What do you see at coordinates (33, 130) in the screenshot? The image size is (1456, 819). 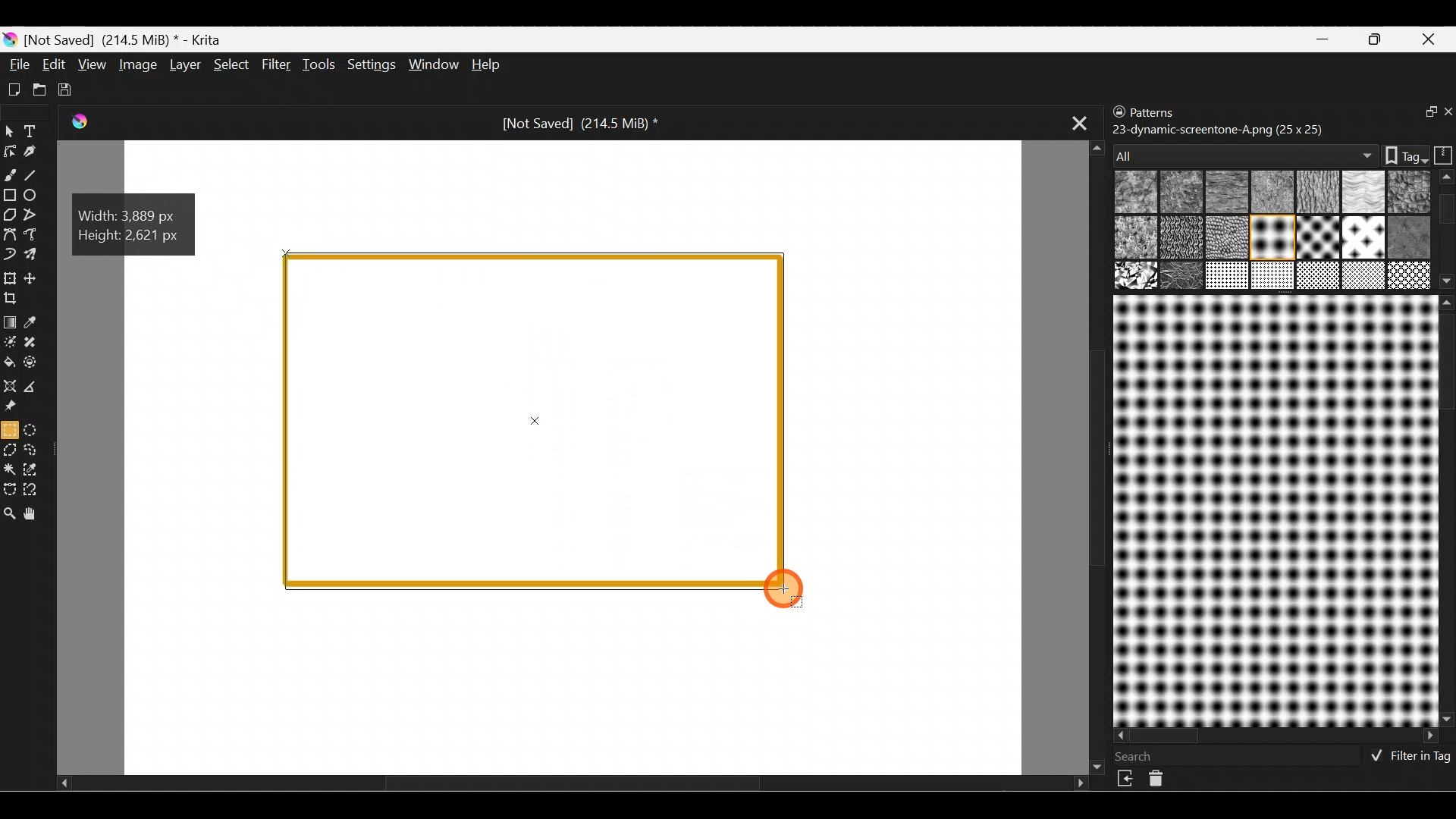 I see `Text tool` at bounding box center [33, 130].